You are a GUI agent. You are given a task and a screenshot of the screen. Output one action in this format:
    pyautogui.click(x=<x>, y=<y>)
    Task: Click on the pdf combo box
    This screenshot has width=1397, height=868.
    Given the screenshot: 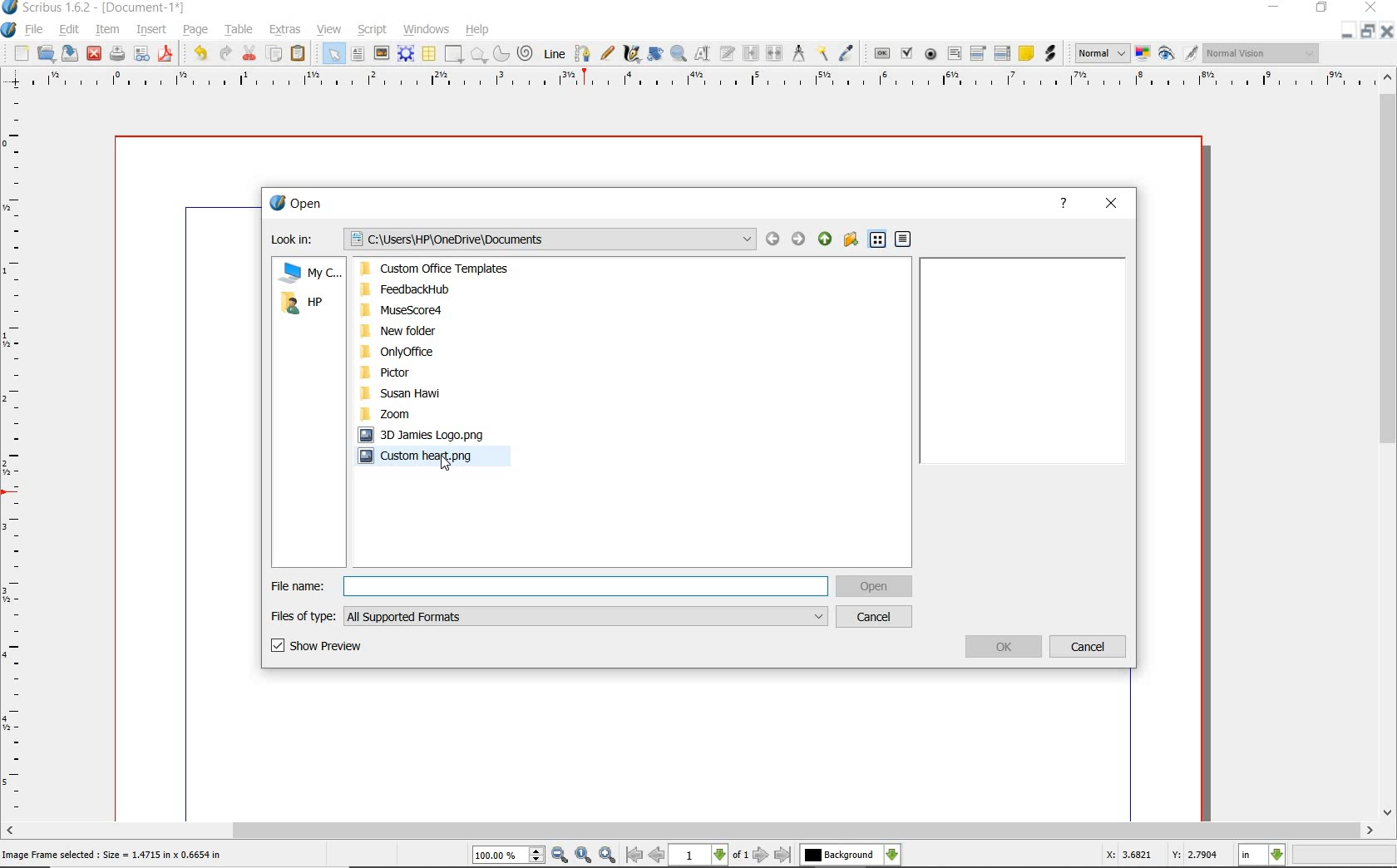 What is the action you would take?
    pyautogui.click(x=980, y=54)
    